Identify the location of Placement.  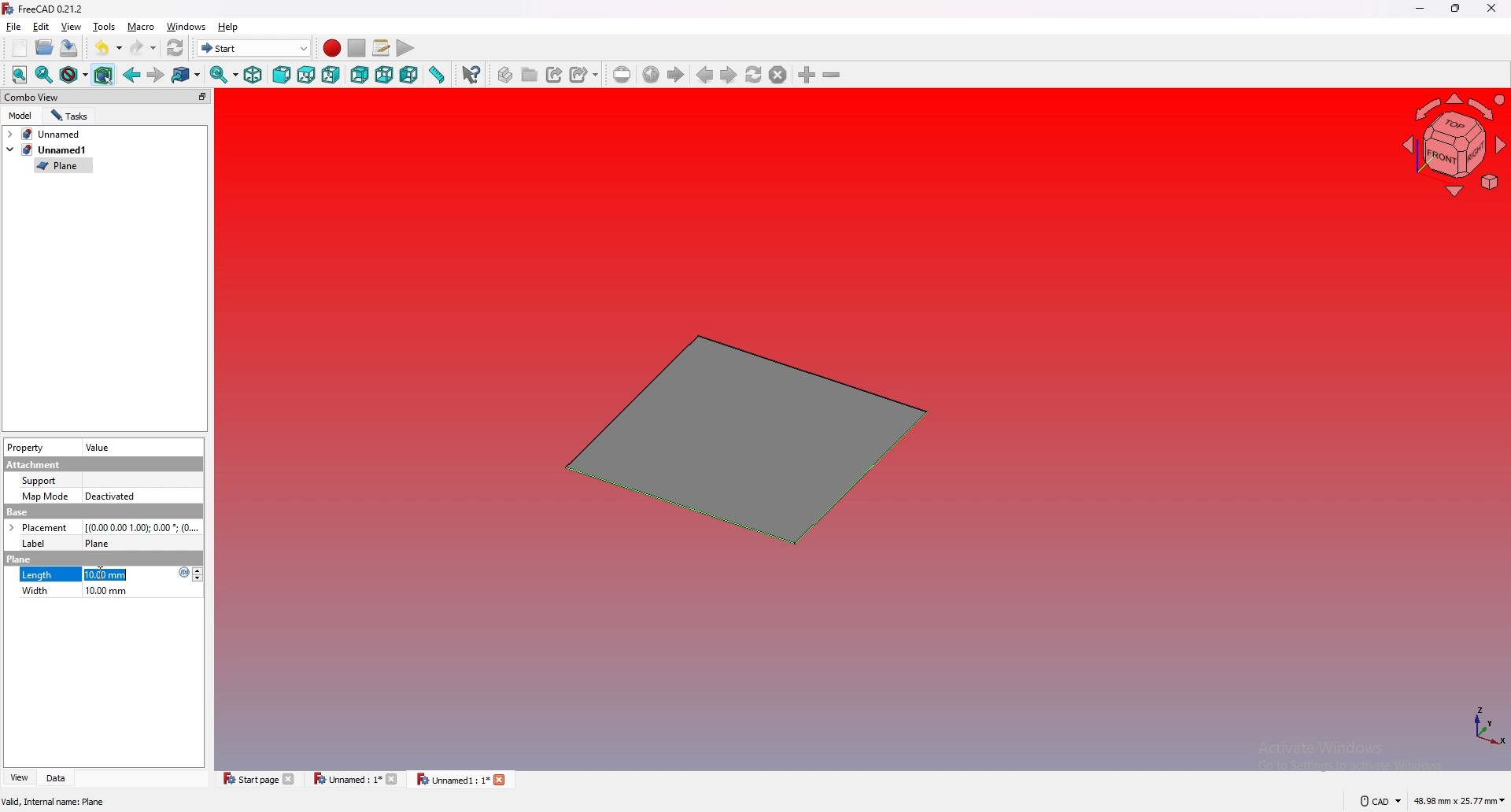
(38, 527).